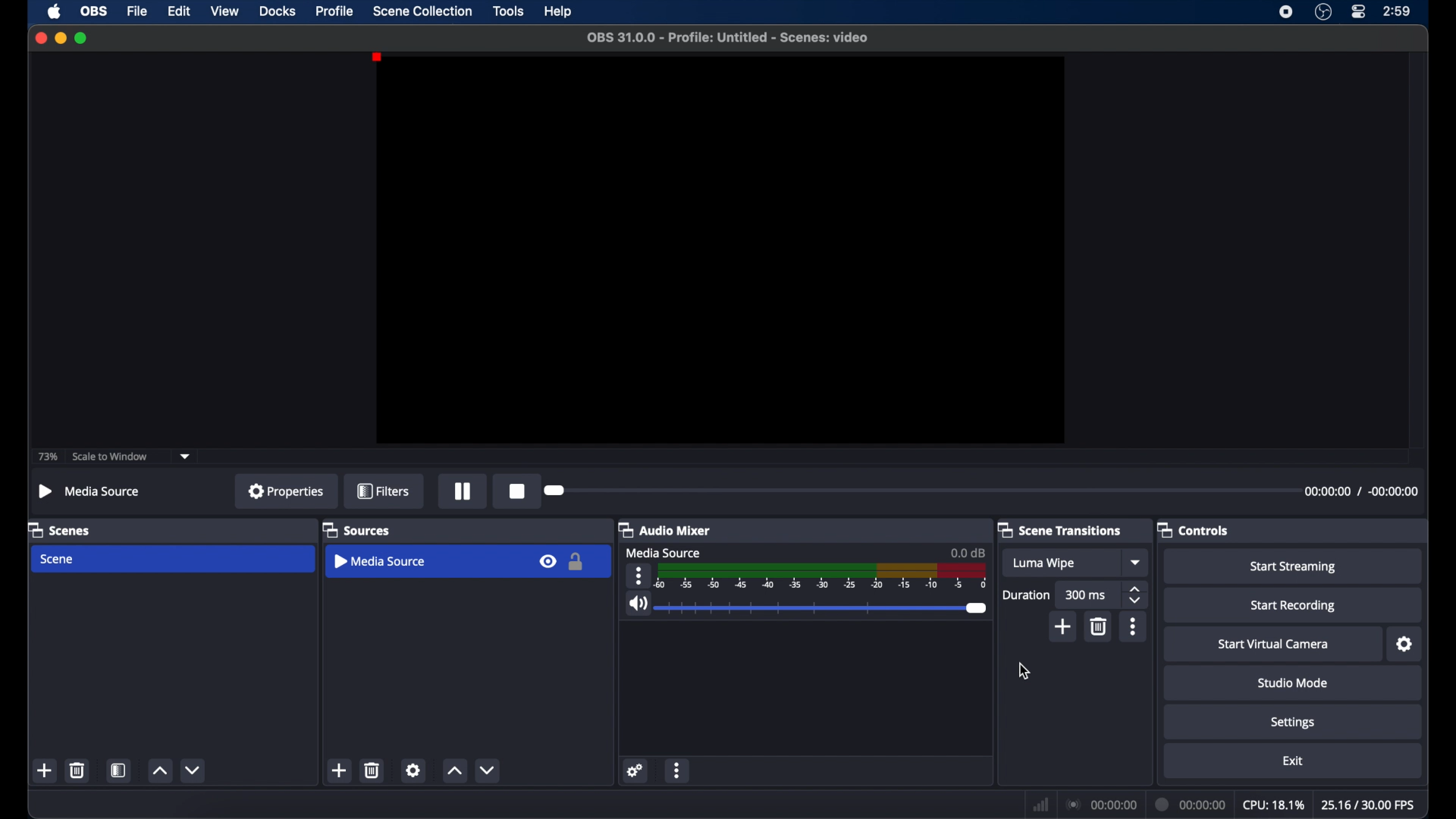  What do you see at coordinates (1294, 761) in the screenshot?
I see `exit` at bounding box center [1294, 761].